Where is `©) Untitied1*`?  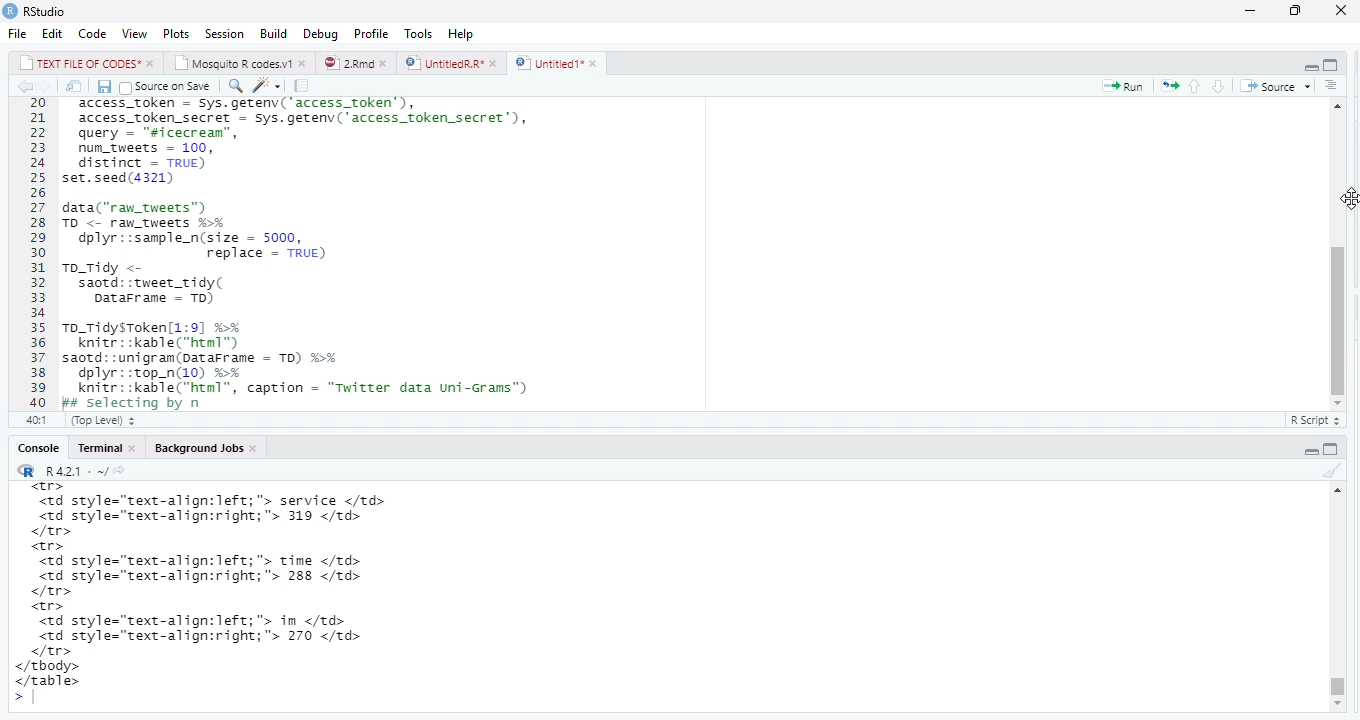 ©) Untitied1* is located at coordinates (563, 64).